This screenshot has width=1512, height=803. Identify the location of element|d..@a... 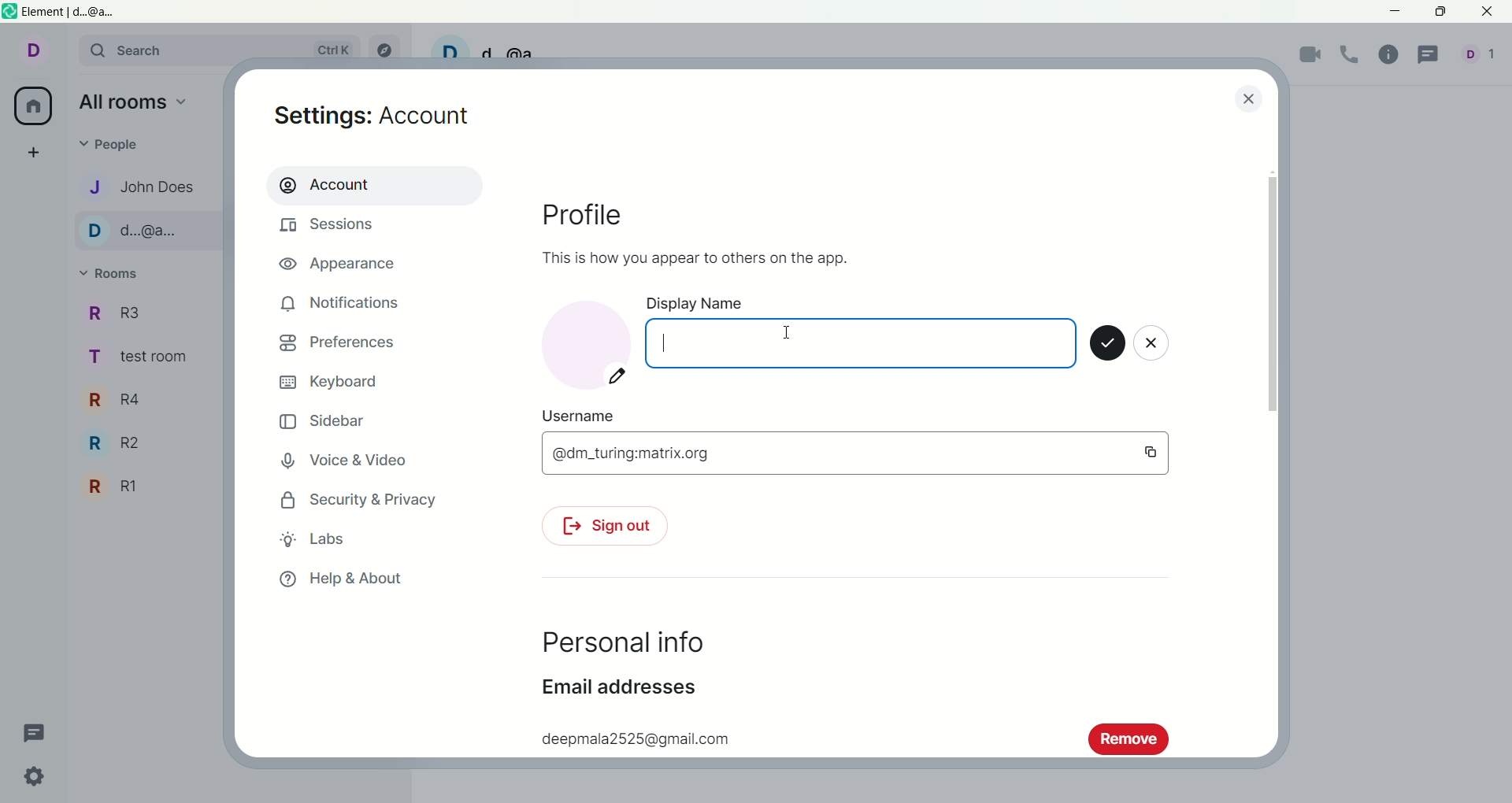
(64, 12).